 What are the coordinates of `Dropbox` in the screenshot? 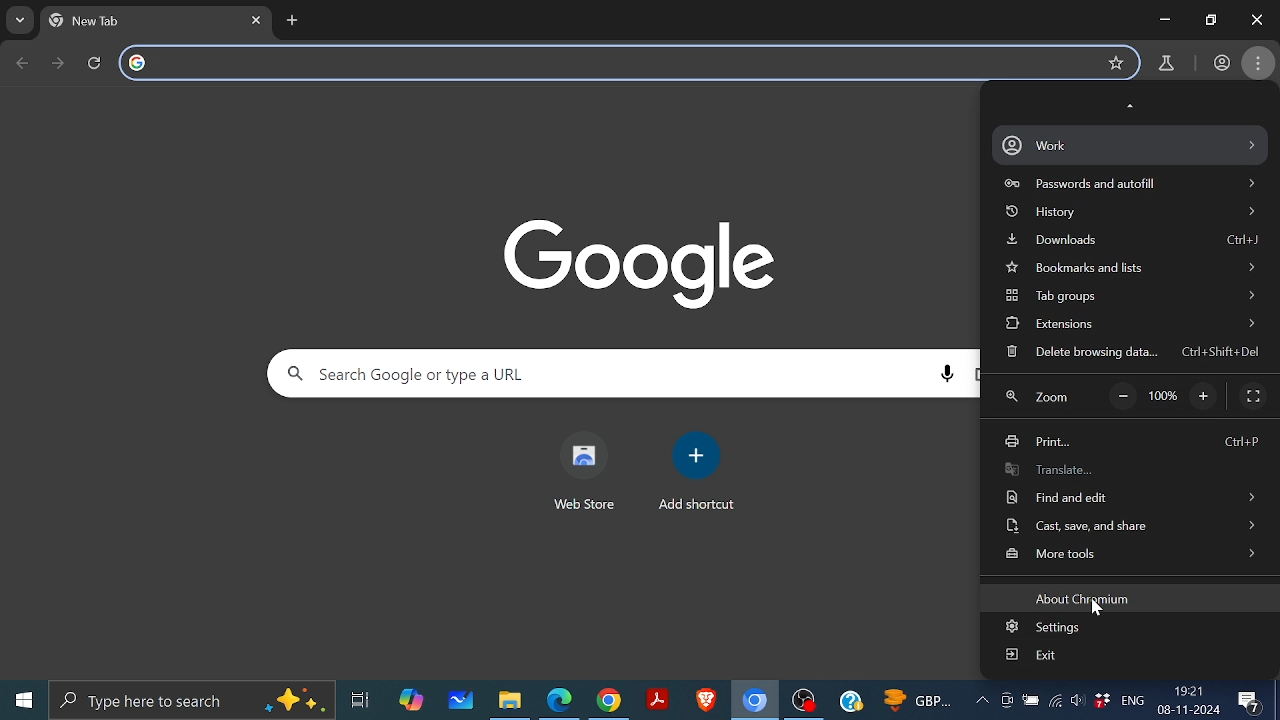 It's located at (1103, 703).